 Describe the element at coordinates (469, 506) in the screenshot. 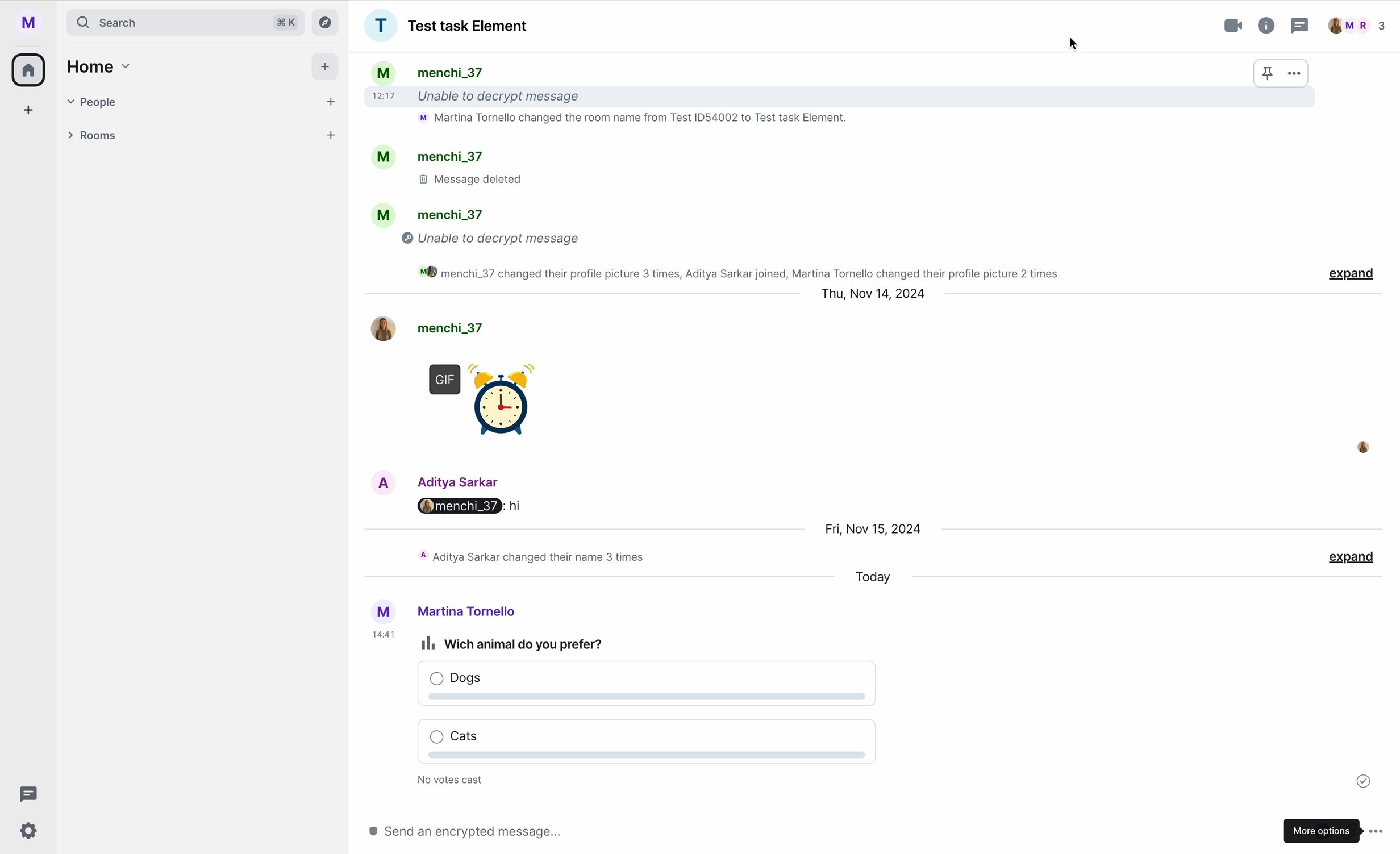

I see `` at that location.